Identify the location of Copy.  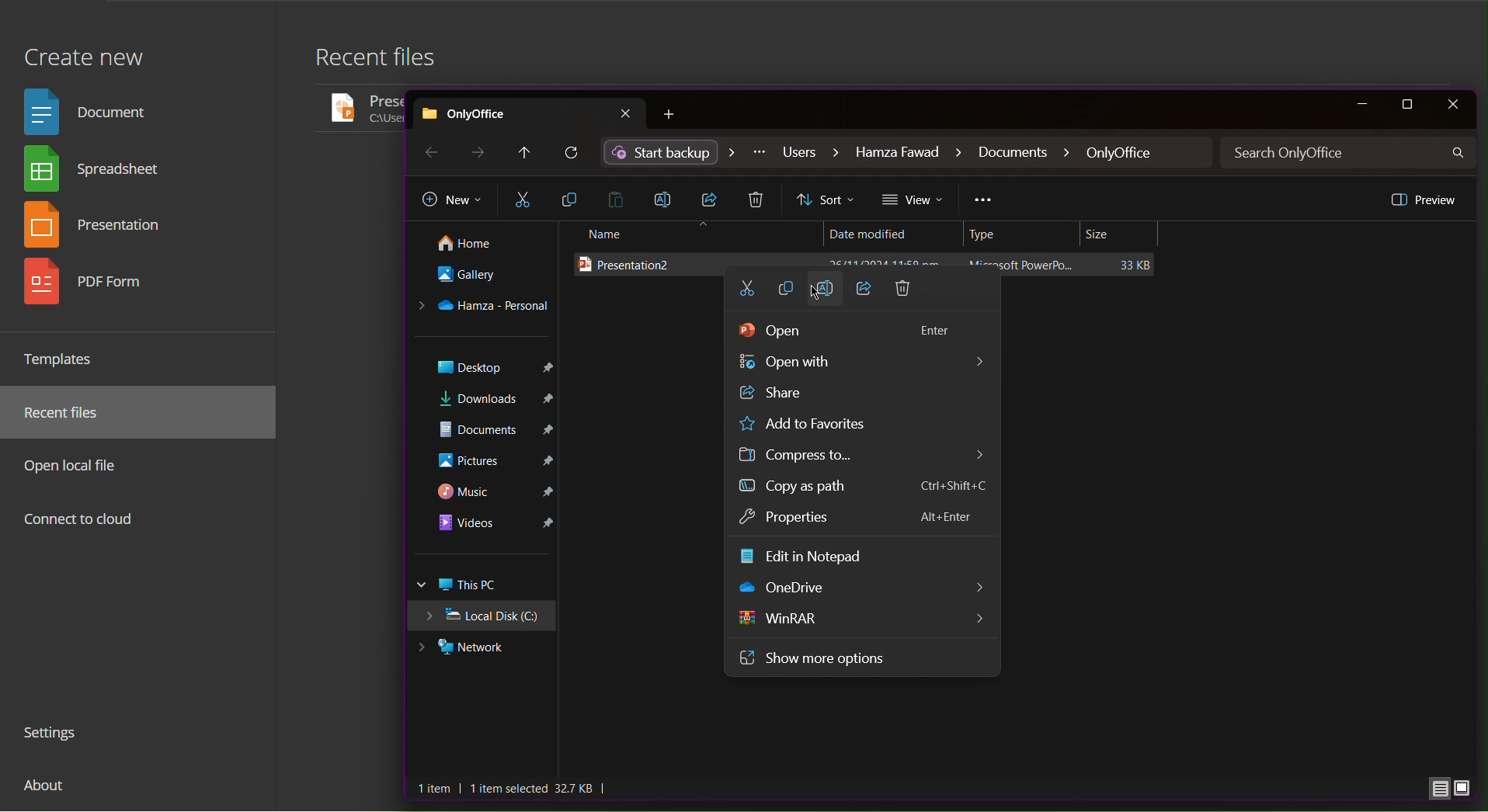
(571, 200).